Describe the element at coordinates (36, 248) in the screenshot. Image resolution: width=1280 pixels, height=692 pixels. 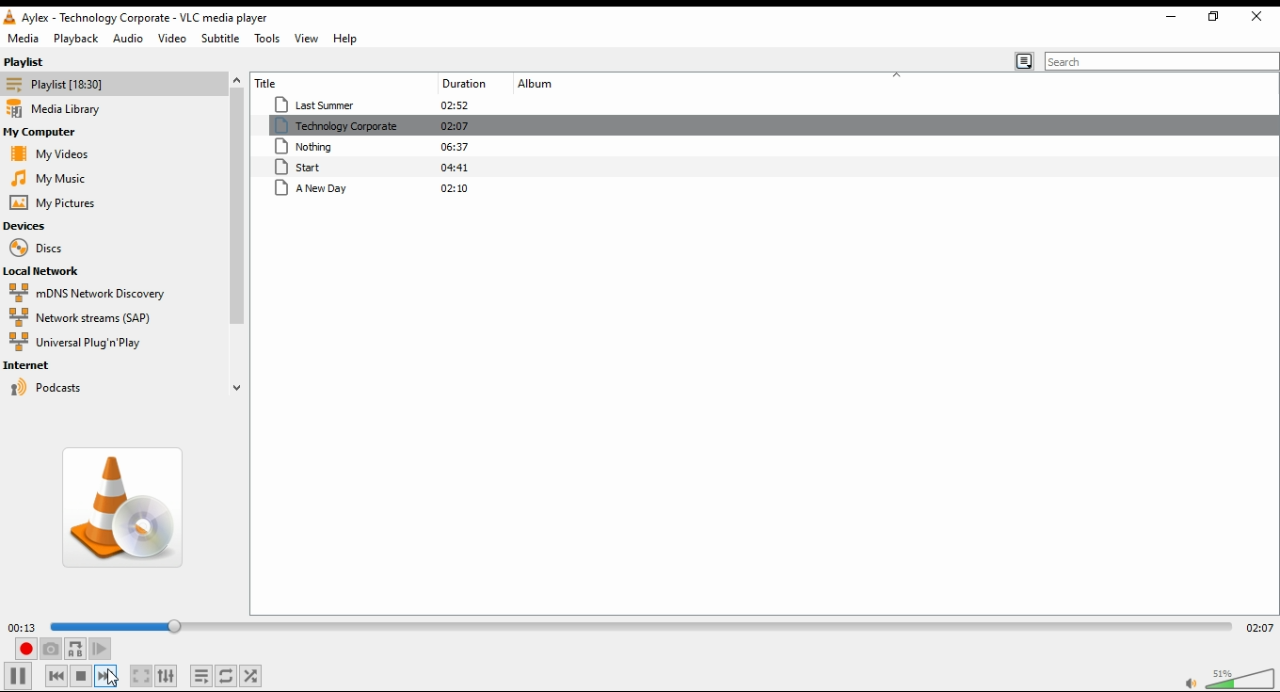
I see `discs` at that location.